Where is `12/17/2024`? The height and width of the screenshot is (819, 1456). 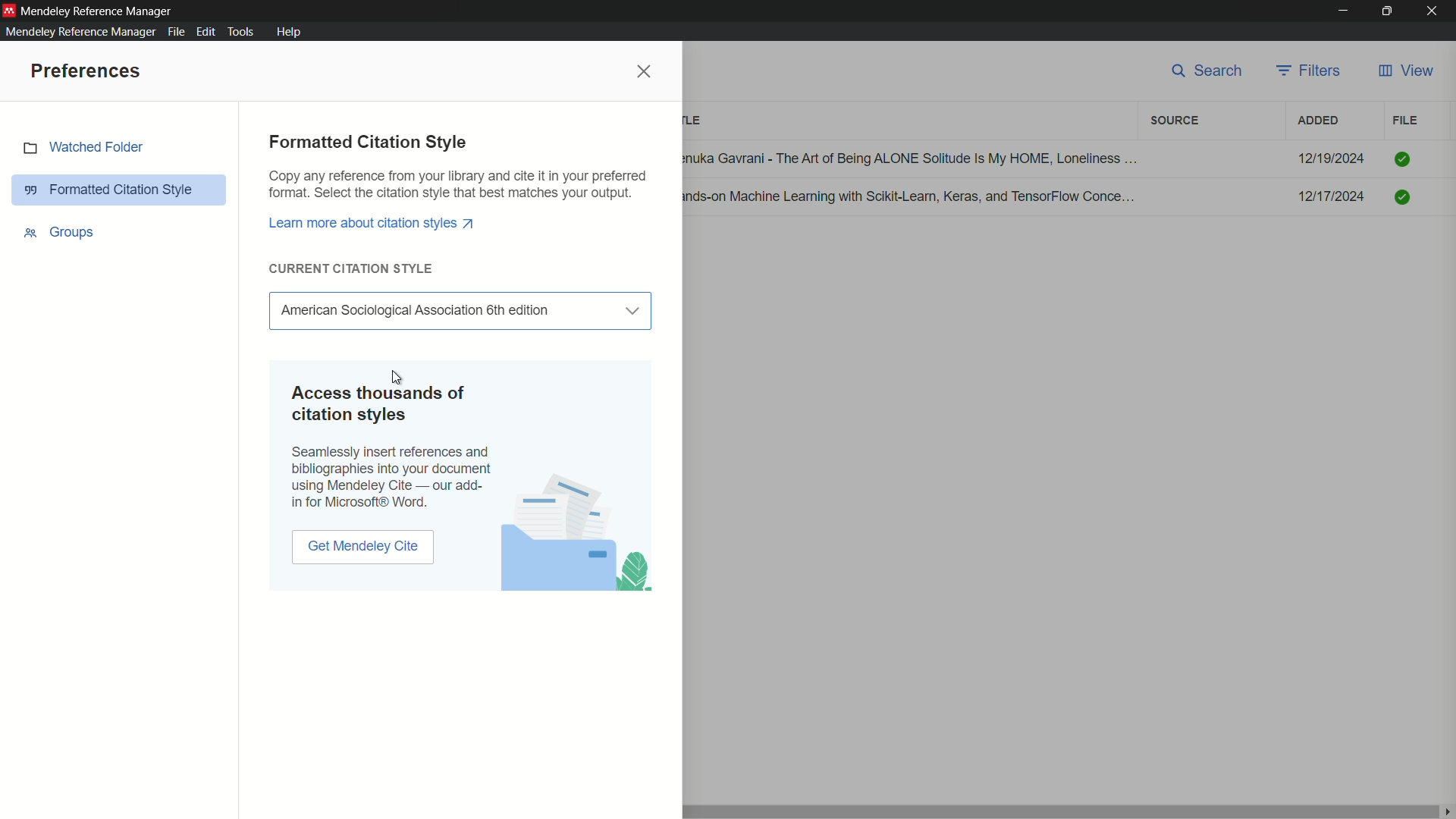 12/17/2024 is located at coordinates (1332, 196).